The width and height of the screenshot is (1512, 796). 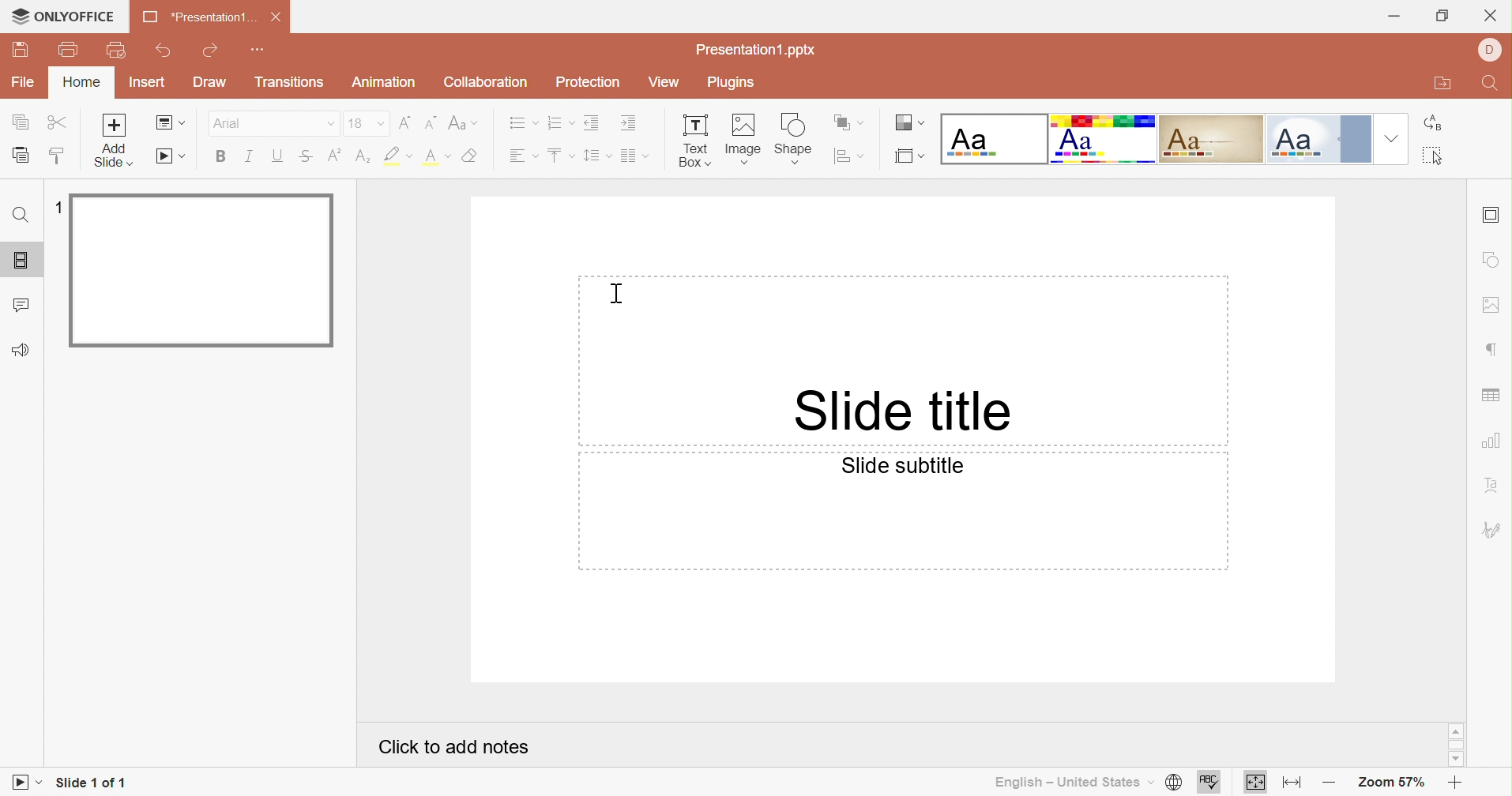 What do you see at coordinates (358, 123) in the screenshot?
I see `16` at bounding box center [358, 123].